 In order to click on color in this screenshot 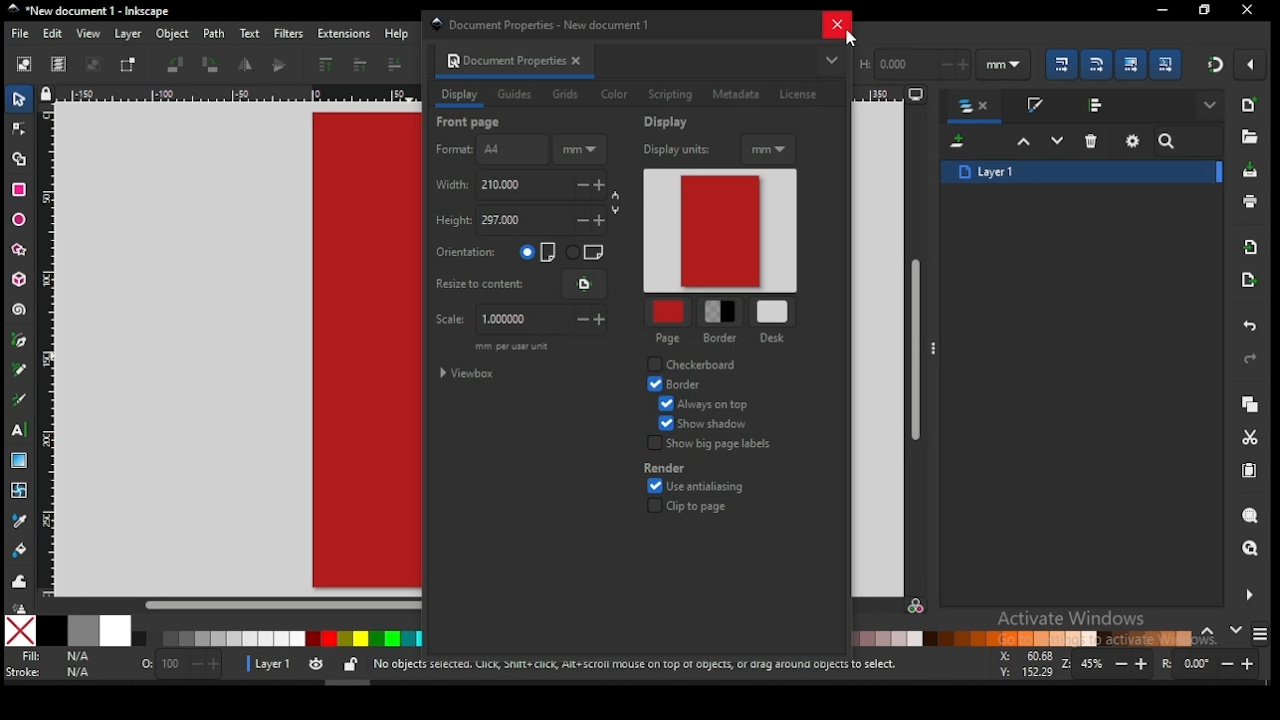, I will do `click(614, 95)`.